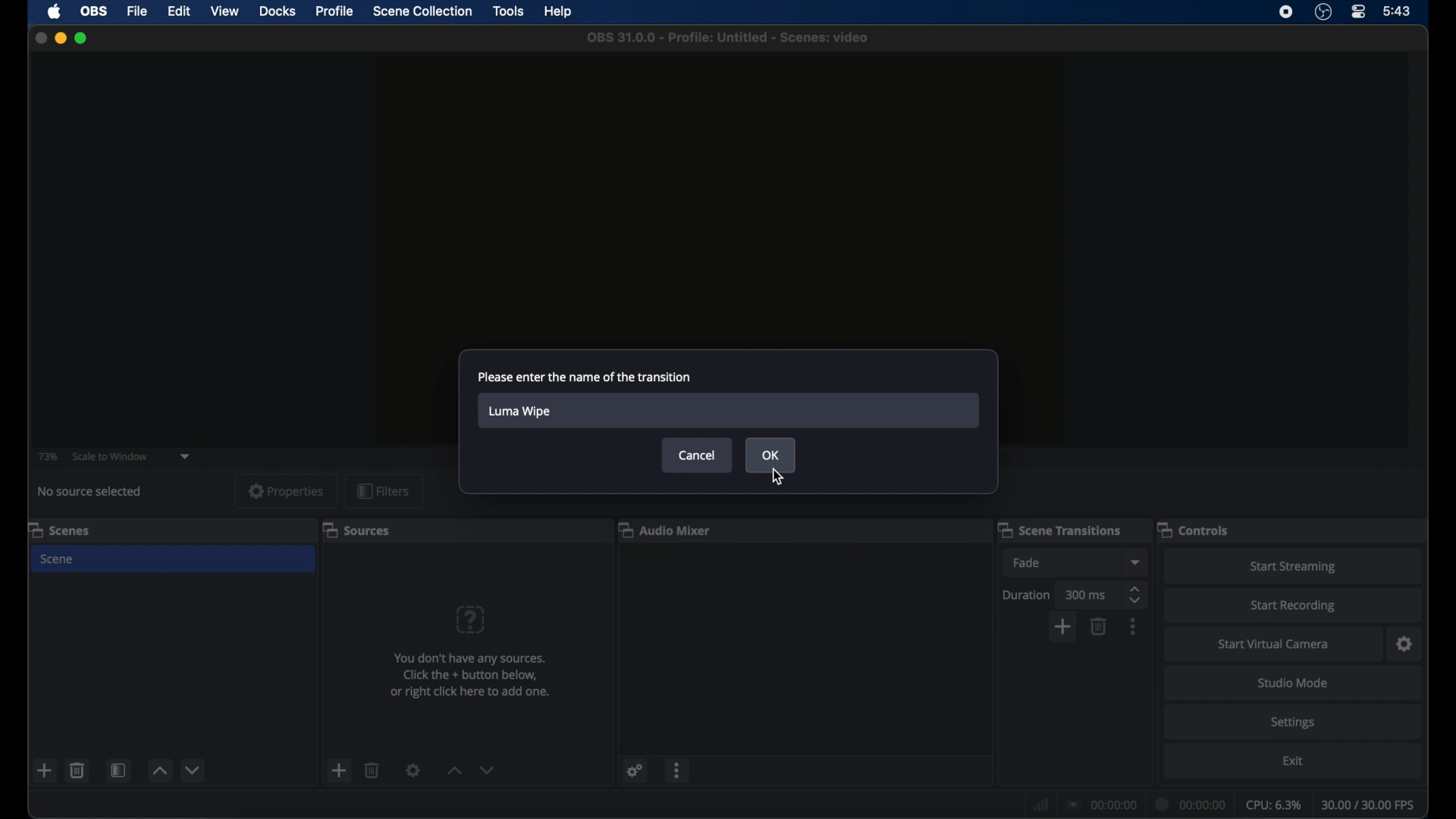 This screenshot has height=819, width=1456. Describe the element at coordinates (40, 37) in the screenshot. I see `close` at that location.